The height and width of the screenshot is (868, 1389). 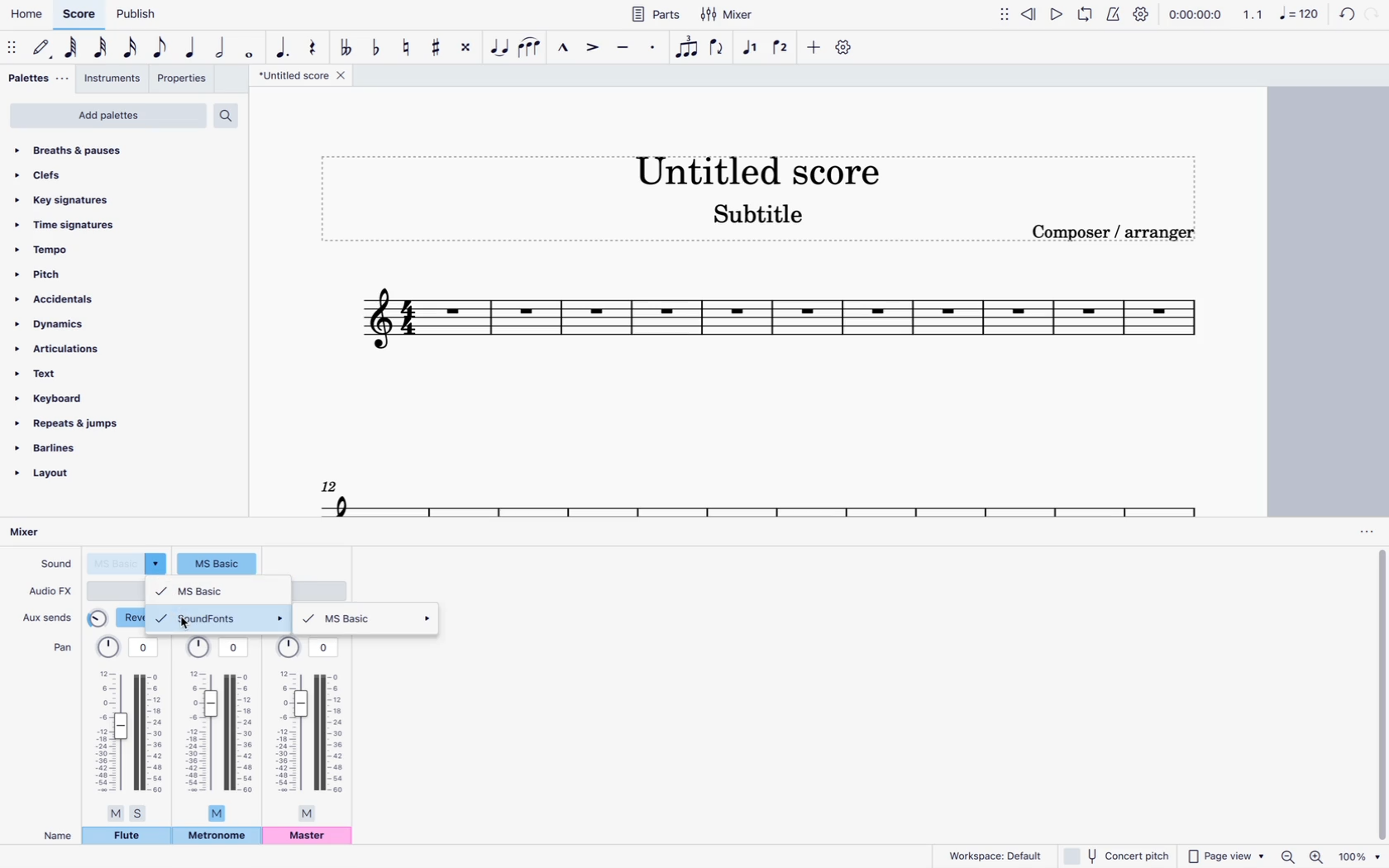 What do you see at coordinates (1381, 695) in the screenshot?
I see `vertical scrollbar` at bounding box center [1381, 695].